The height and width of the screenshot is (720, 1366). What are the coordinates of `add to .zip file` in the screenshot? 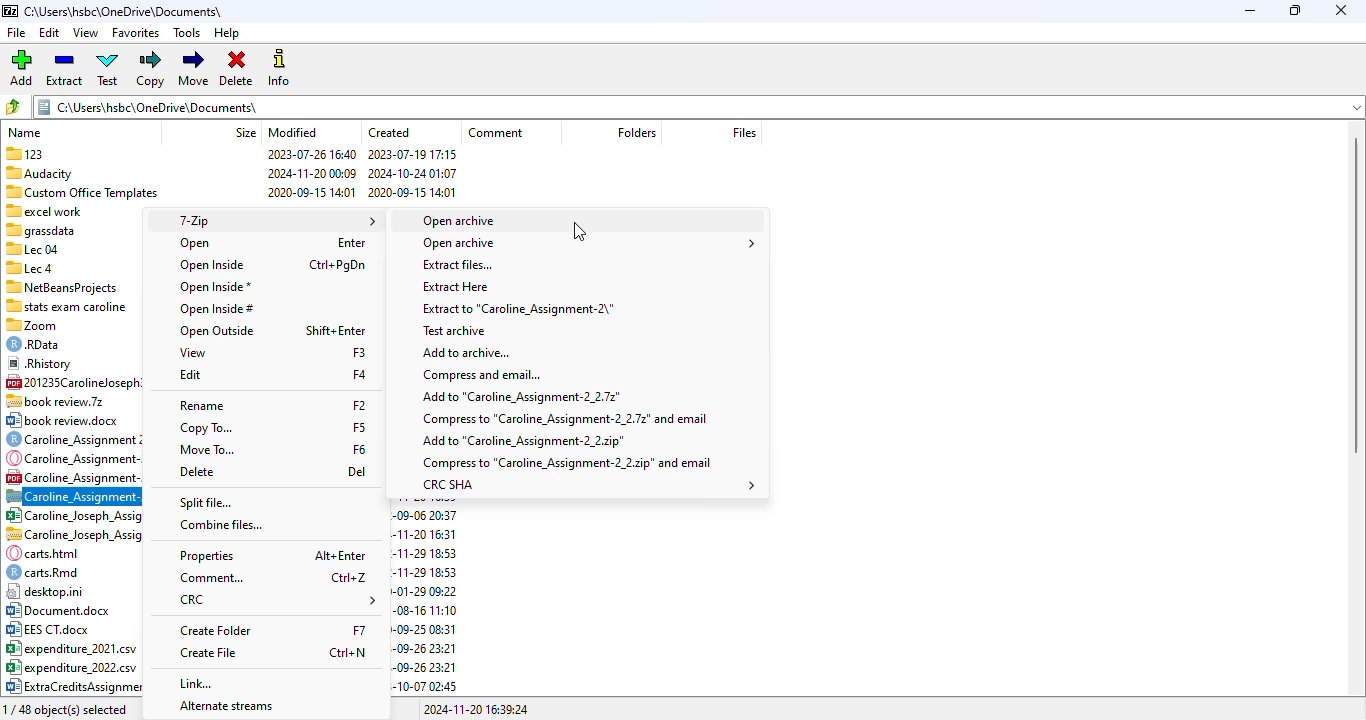 It's located at (523, 441).